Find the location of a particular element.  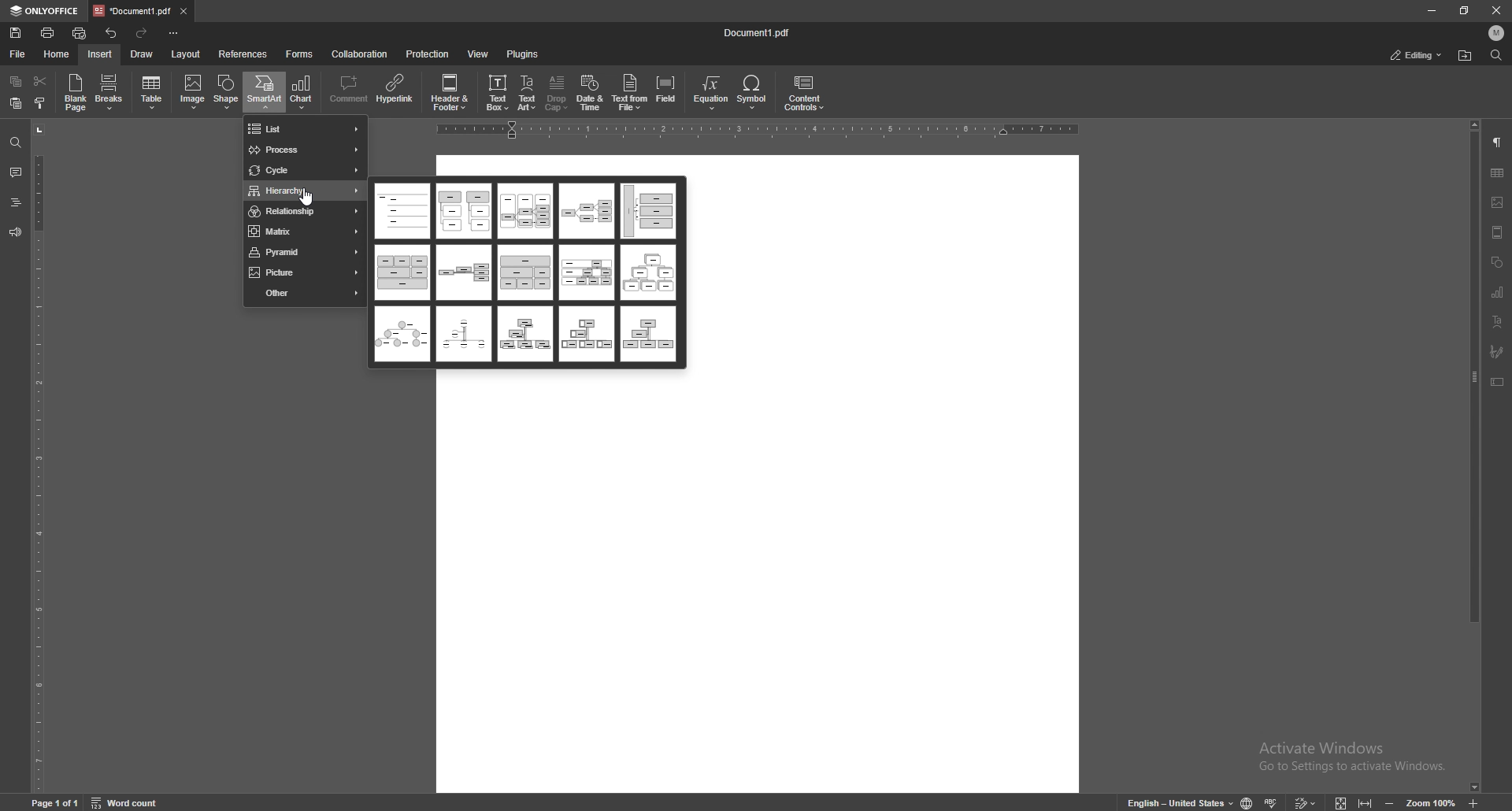

cycle is located at coordinates (305, 171).